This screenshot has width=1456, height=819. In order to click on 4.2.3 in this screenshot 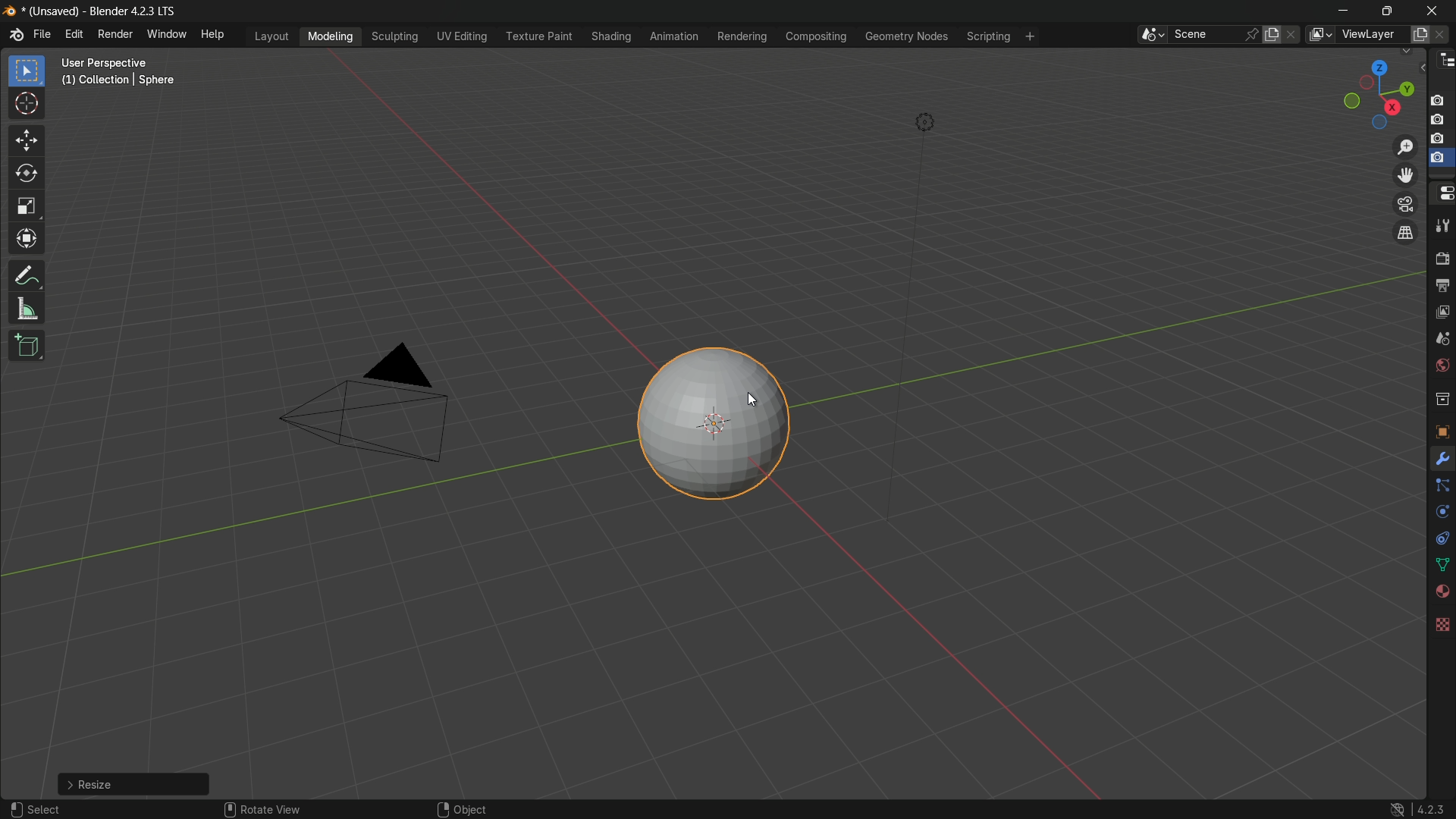, I will do `click(1414, 802)`.